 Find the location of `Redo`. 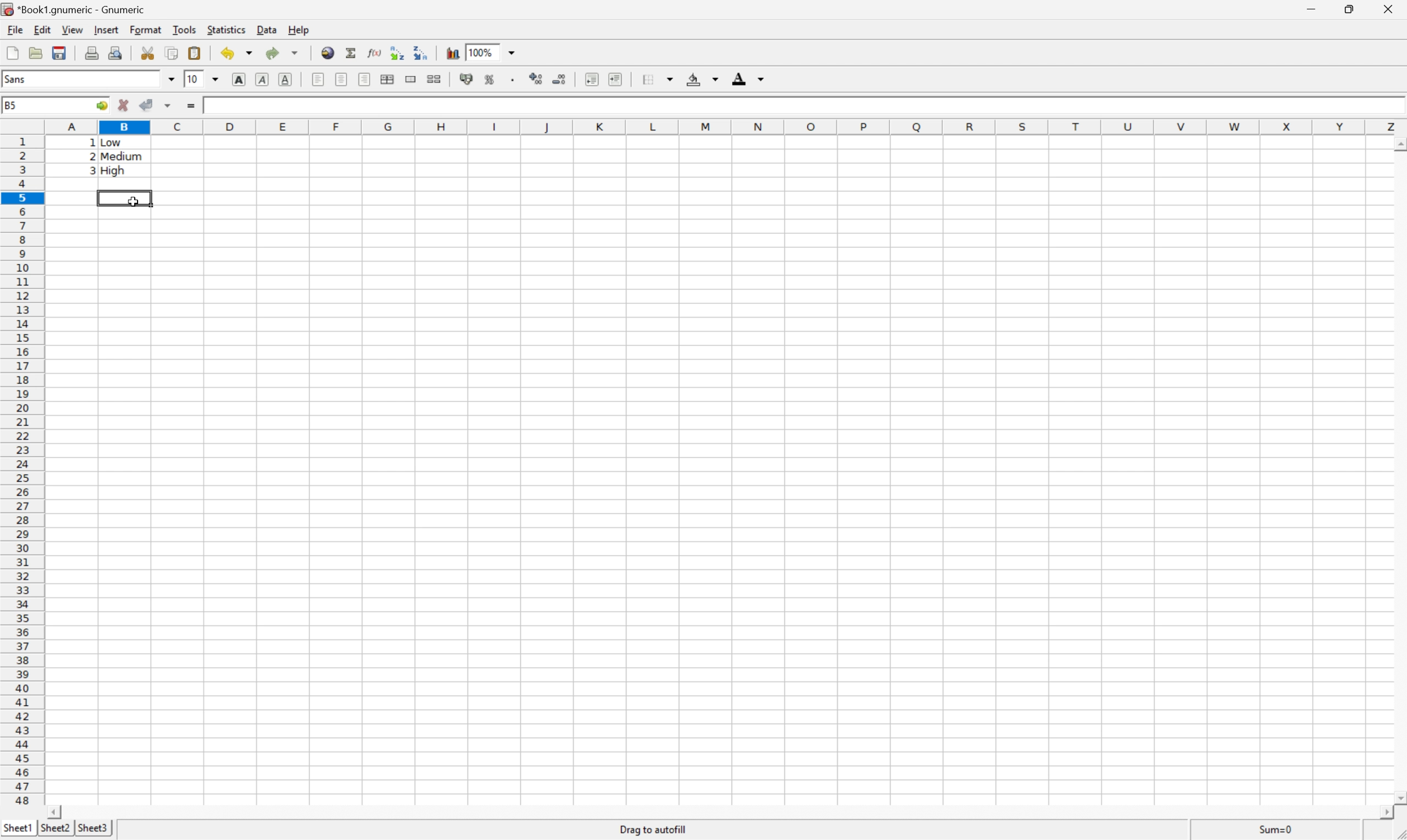

Redo is located at coordinates (281, 52).